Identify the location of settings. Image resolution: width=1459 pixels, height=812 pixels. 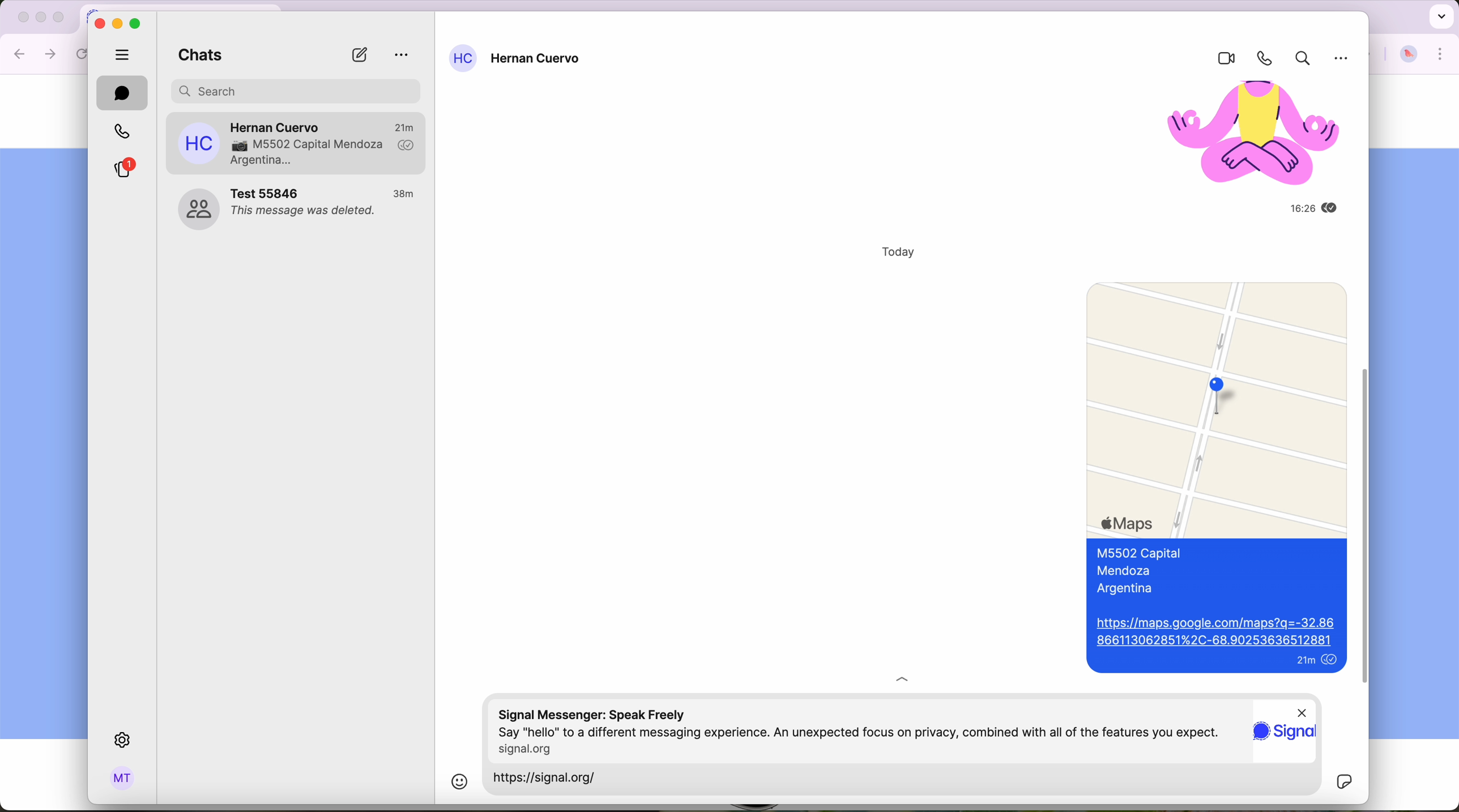
(125, 741).